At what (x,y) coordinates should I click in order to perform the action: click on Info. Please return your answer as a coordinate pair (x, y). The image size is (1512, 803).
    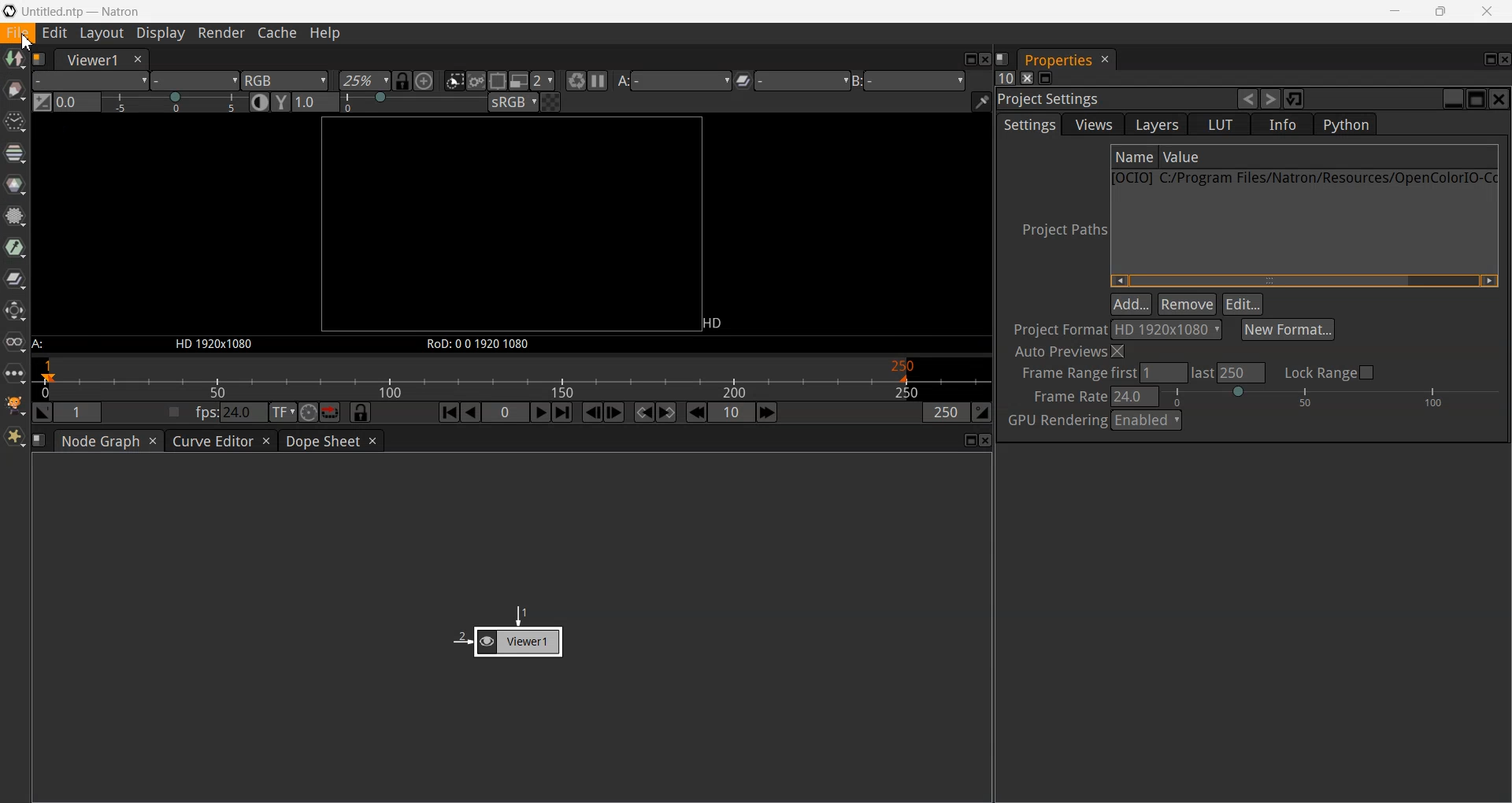
    Looking at the image, I should click on (1283, 124).